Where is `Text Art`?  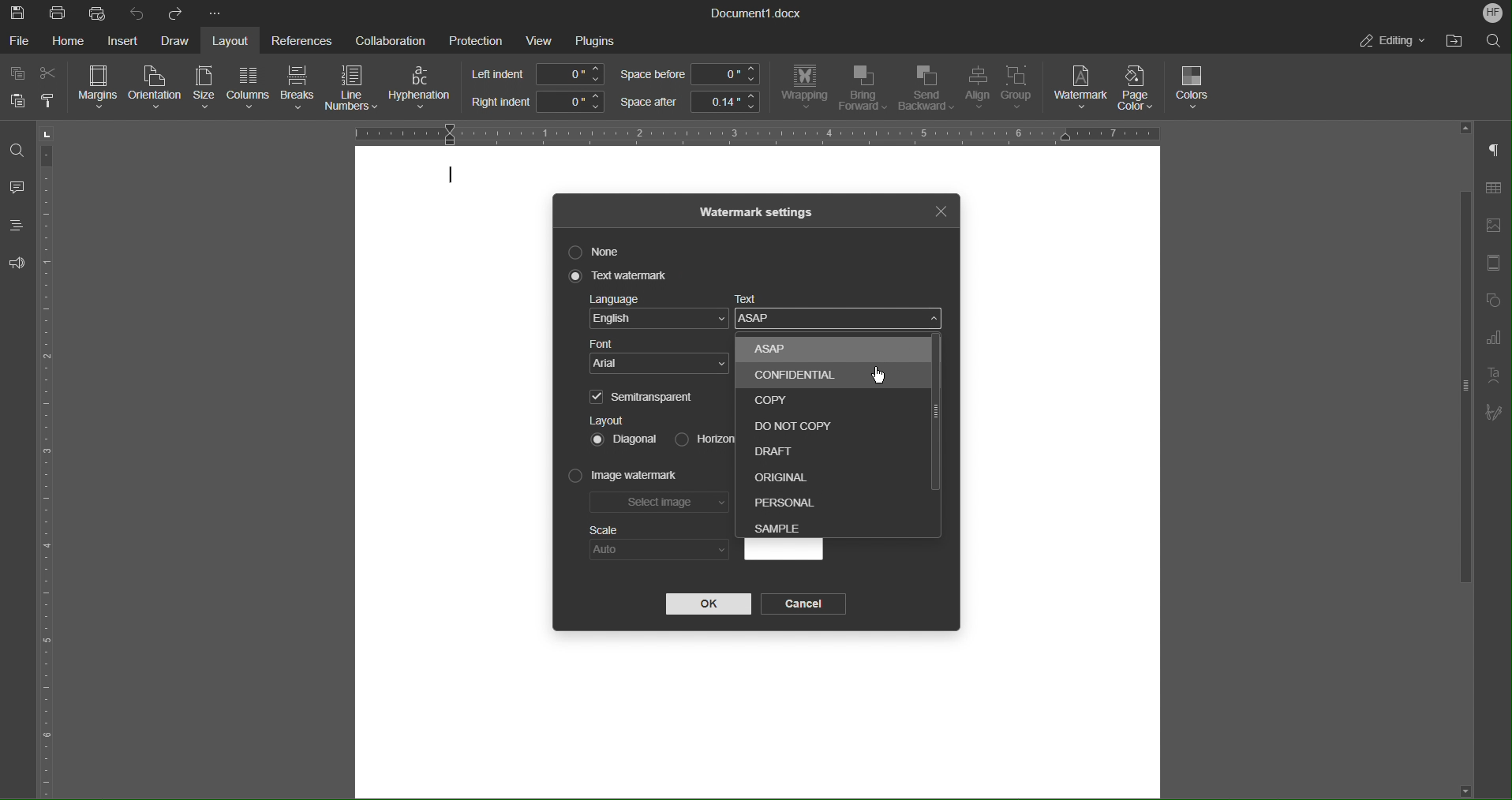
Text Art is located at coordinates (1491, 376).